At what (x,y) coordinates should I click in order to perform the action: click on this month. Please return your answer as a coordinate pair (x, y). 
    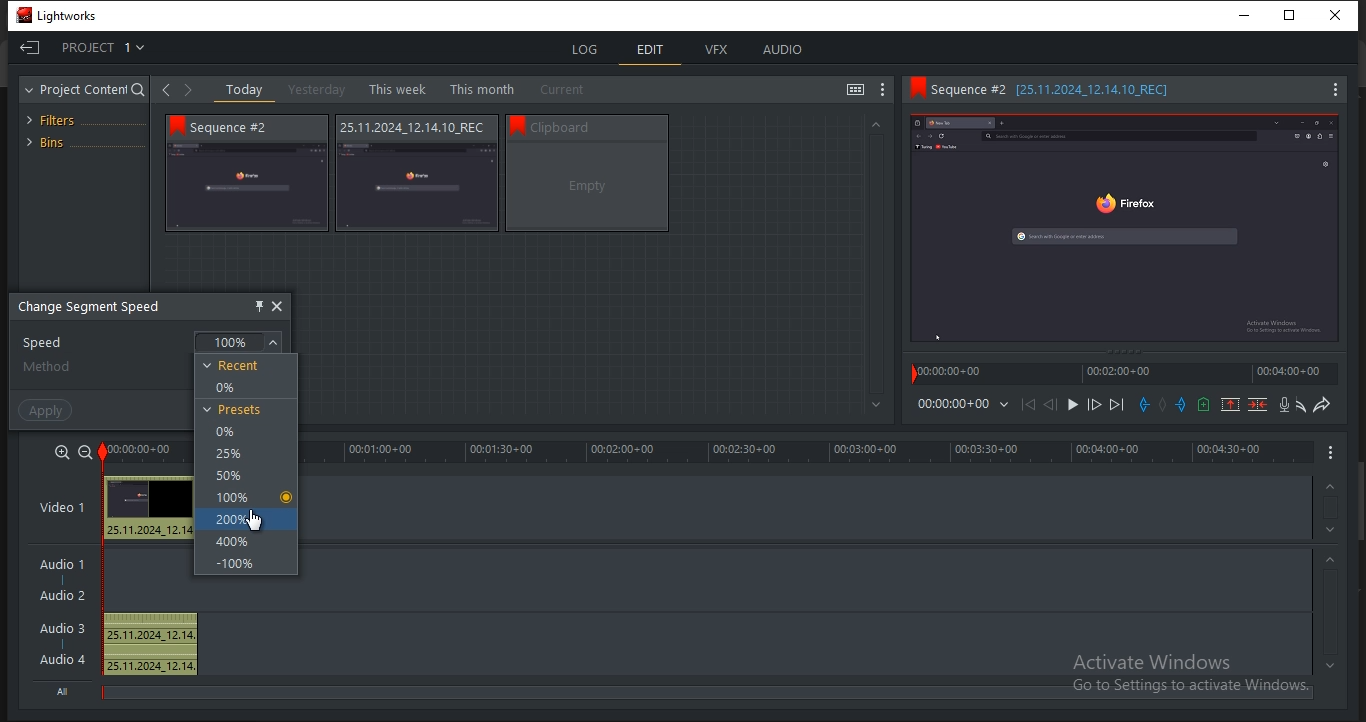
    Looking at the image, I should click on (482, 88).